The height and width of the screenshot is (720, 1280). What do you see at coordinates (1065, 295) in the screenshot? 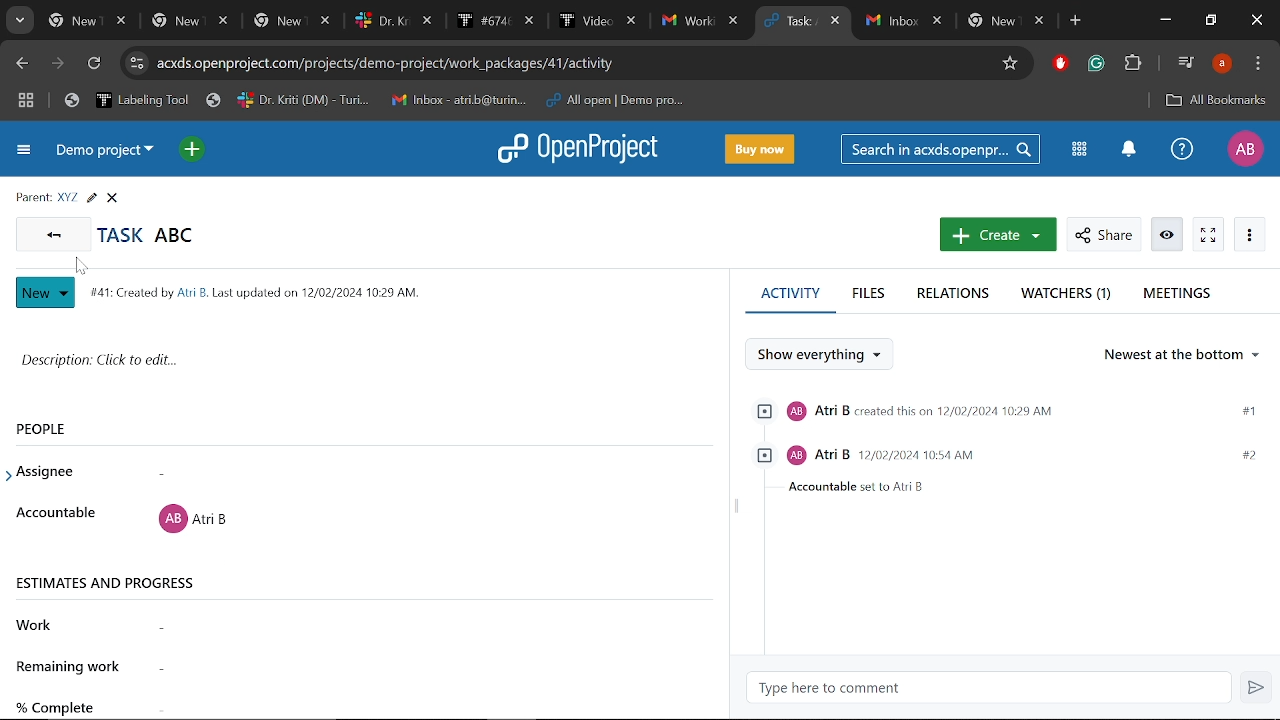
I see `Watchers` at bounding box center [1065, 295].